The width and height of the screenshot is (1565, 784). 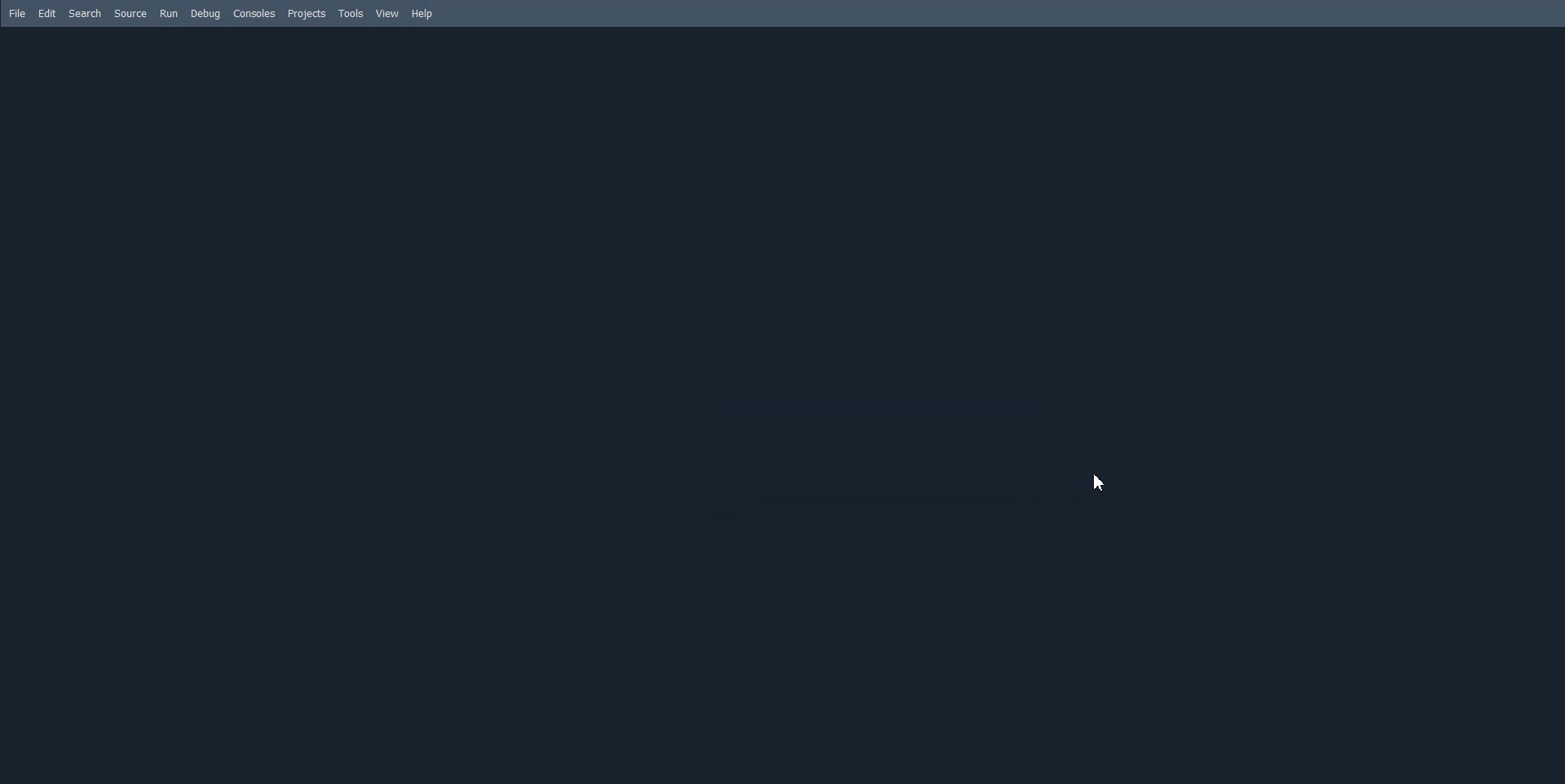 What do you see at coordinates (254, 13) in the screenshot?
I see `Consoles` at bounding box center [254, 13].